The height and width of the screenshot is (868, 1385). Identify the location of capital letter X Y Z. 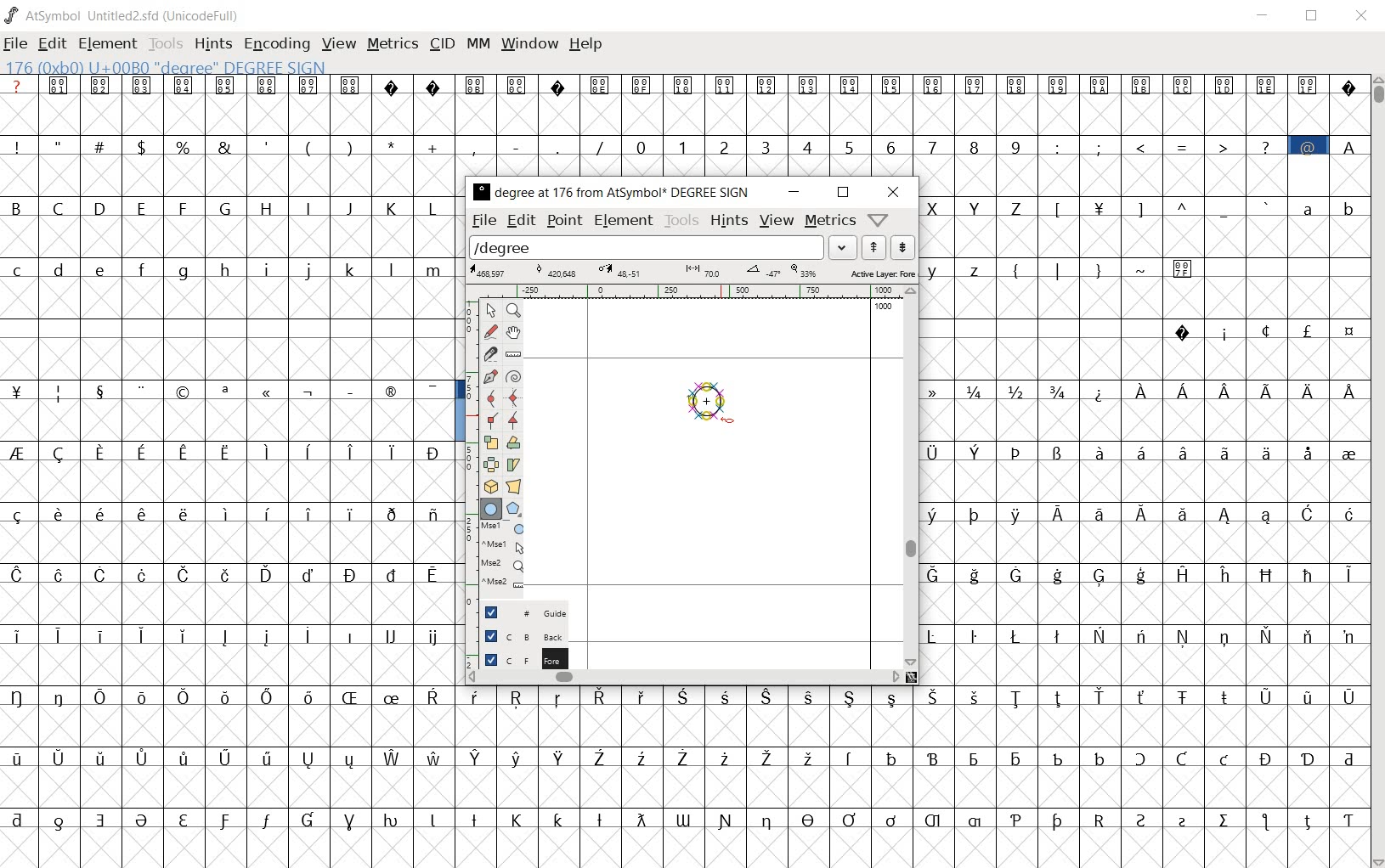
(981, 207).